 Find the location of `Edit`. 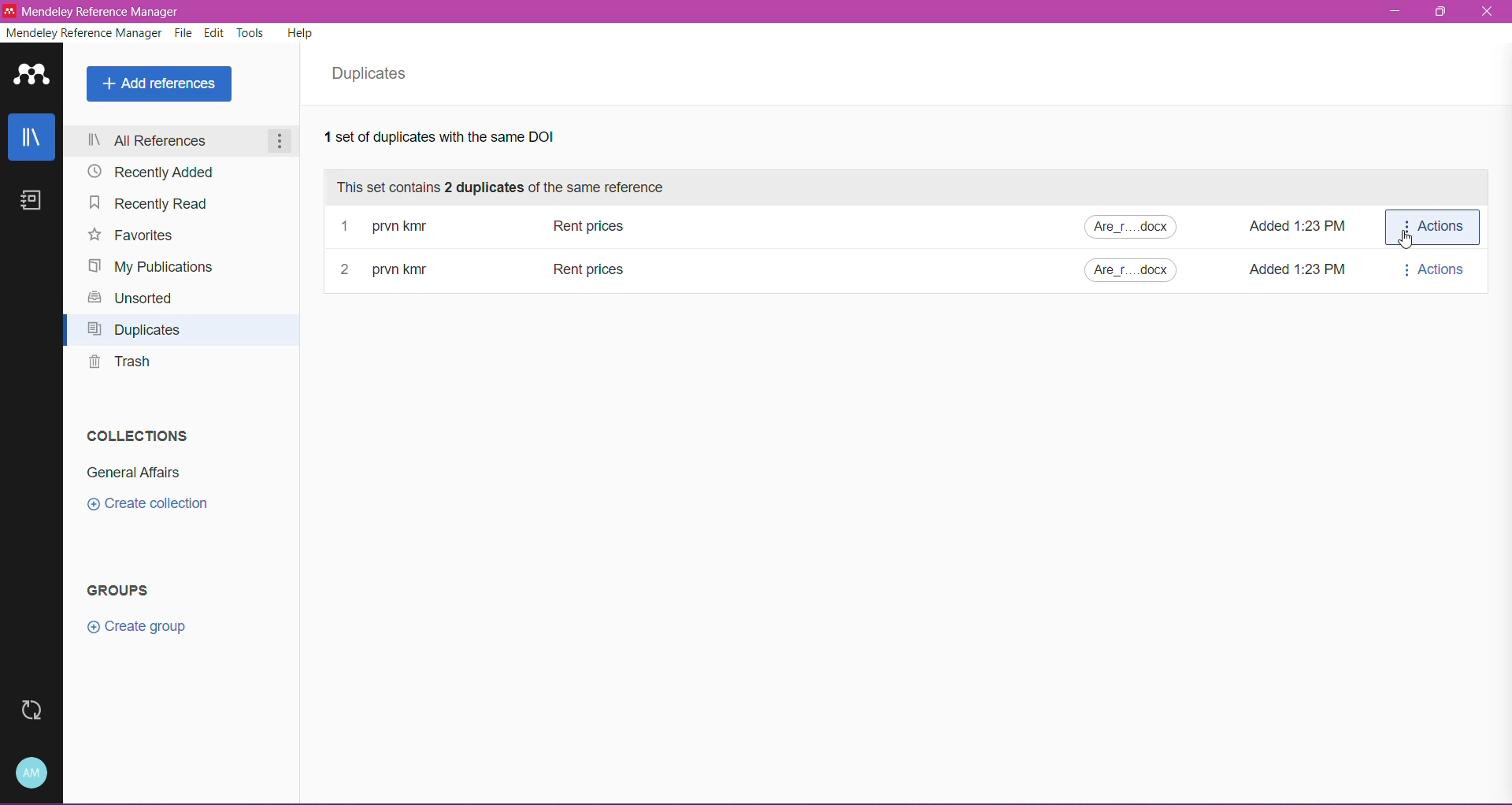

Edit is located at coordinates (215, 33).